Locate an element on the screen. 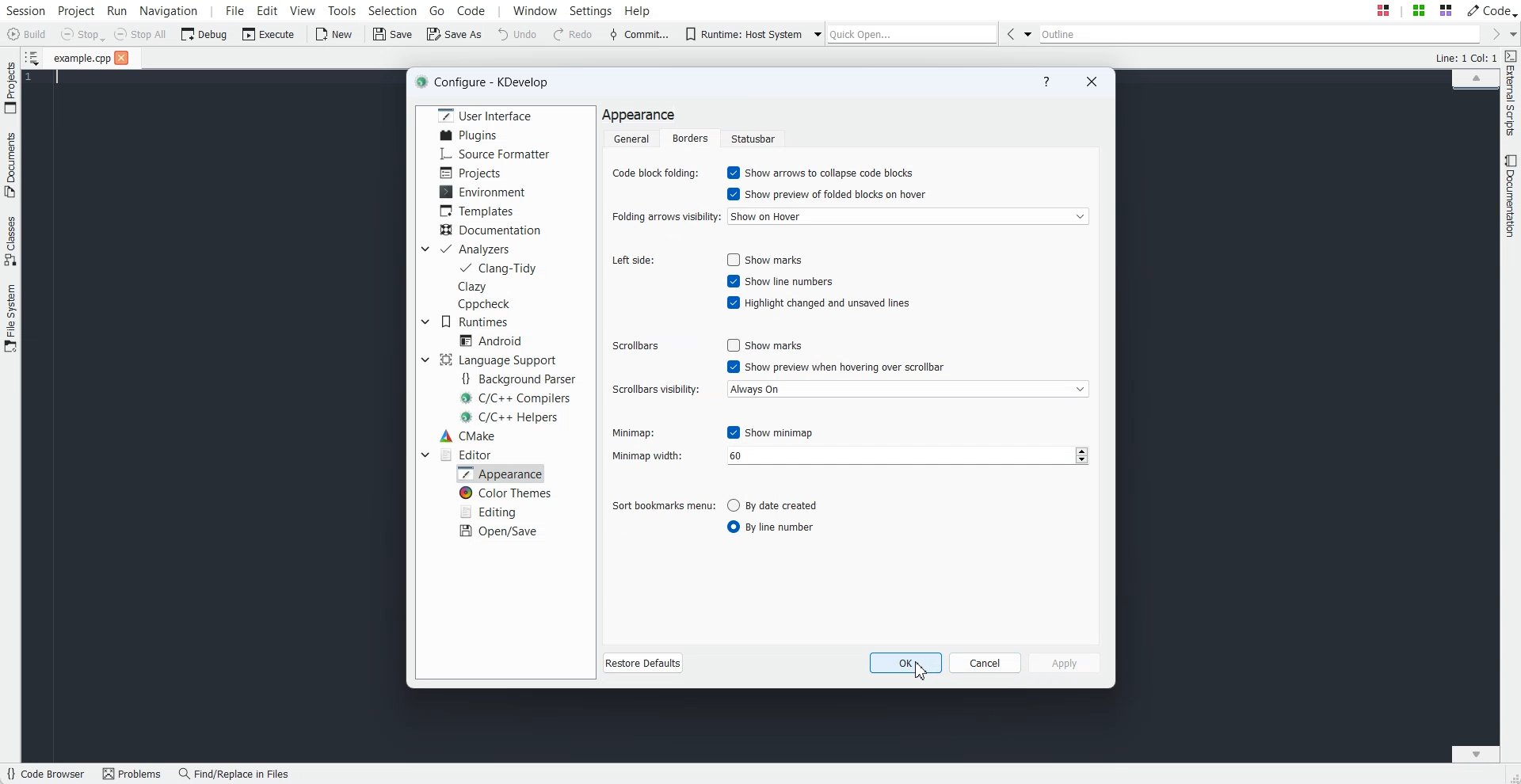 This screenshot has width=1521, height=784. Projects is located at coordinates (474, 172).